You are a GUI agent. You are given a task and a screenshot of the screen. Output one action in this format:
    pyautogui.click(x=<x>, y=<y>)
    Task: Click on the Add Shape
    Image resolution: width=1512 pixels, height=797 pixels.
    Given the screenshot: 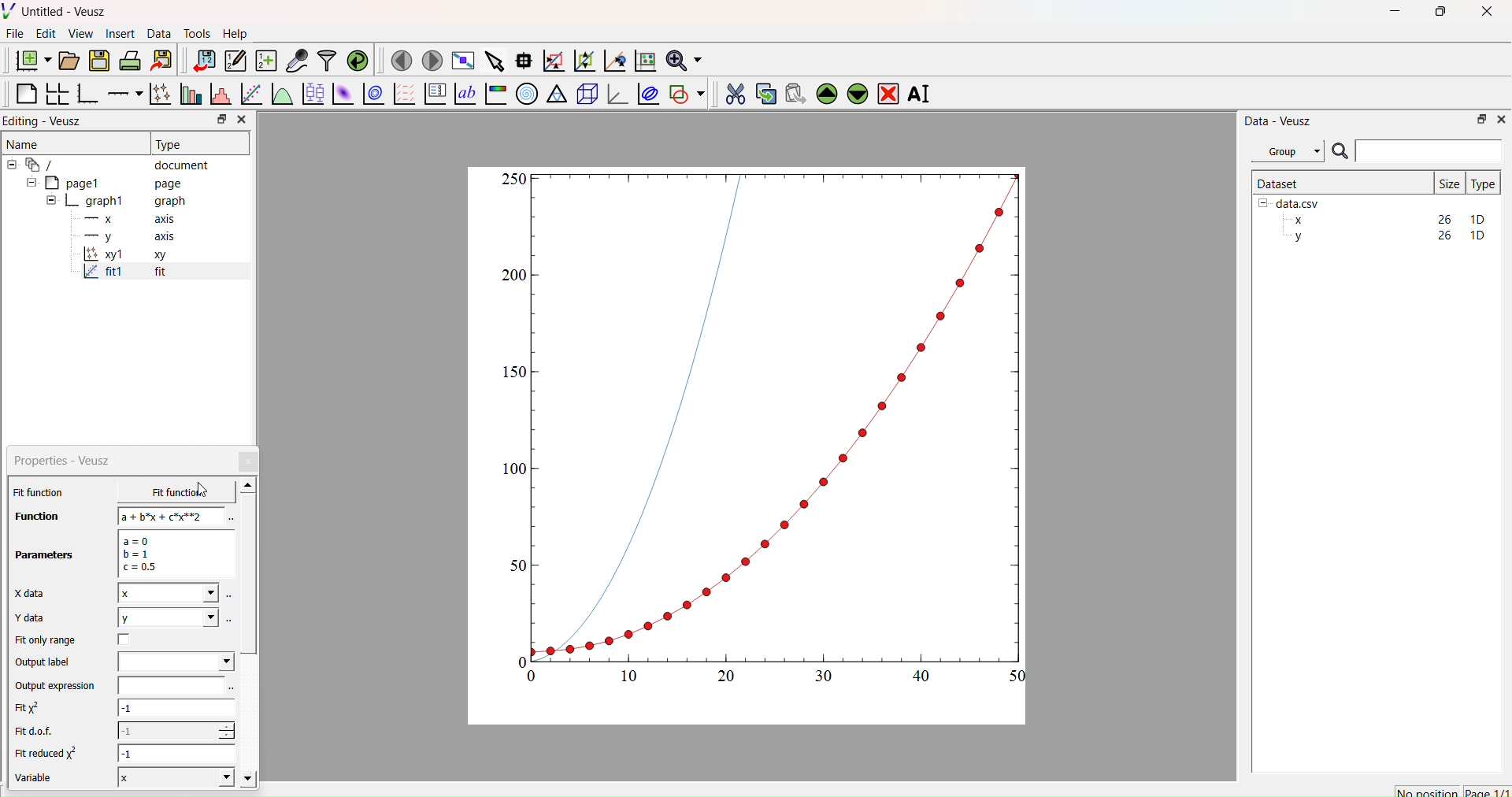 What is the action you would take?
    pyautogui.click(x=685, y=91)
    